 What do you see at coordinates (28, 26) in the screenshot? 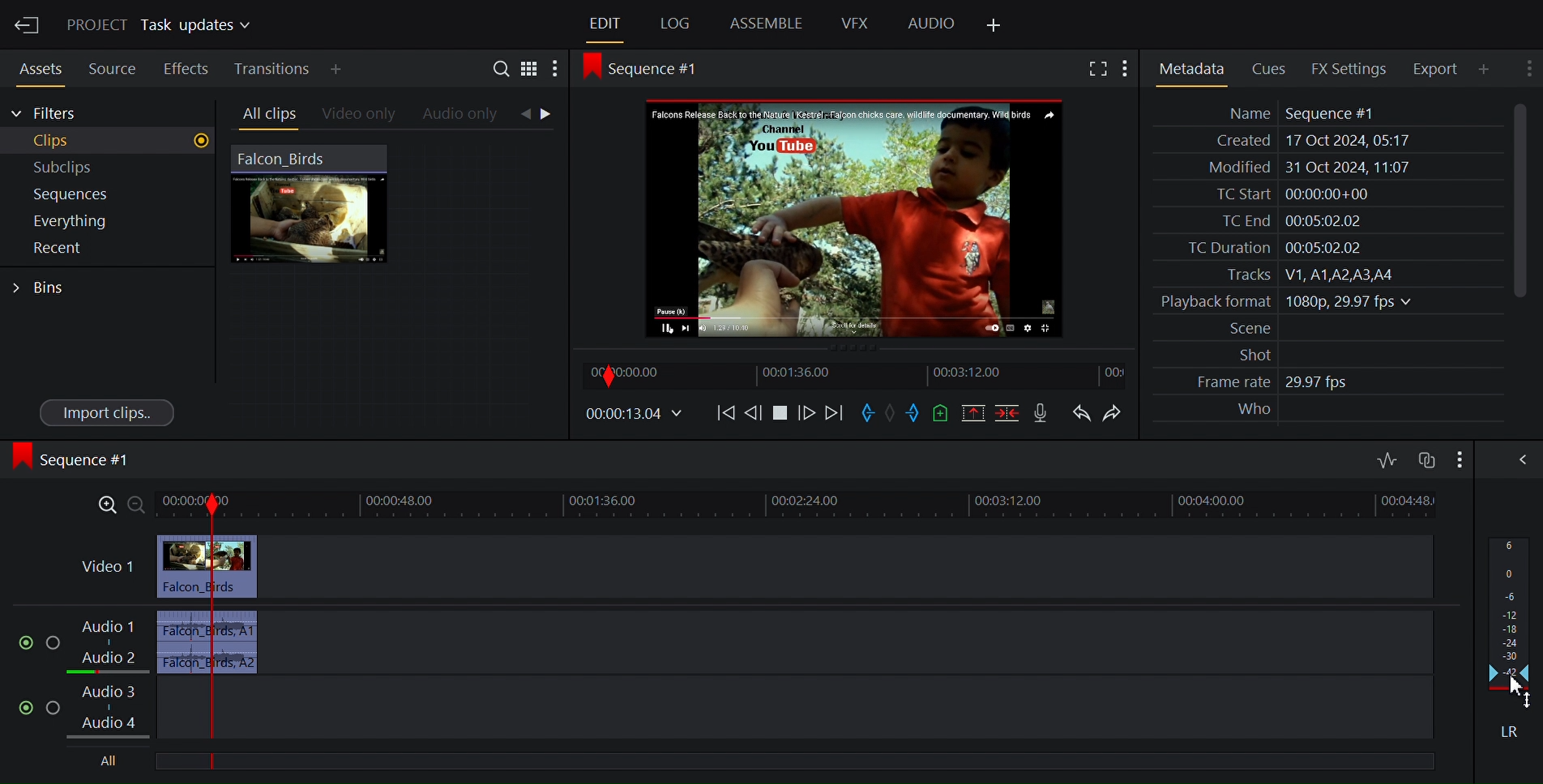
I see `Exit Current Project` at bounding box center [28, 26].